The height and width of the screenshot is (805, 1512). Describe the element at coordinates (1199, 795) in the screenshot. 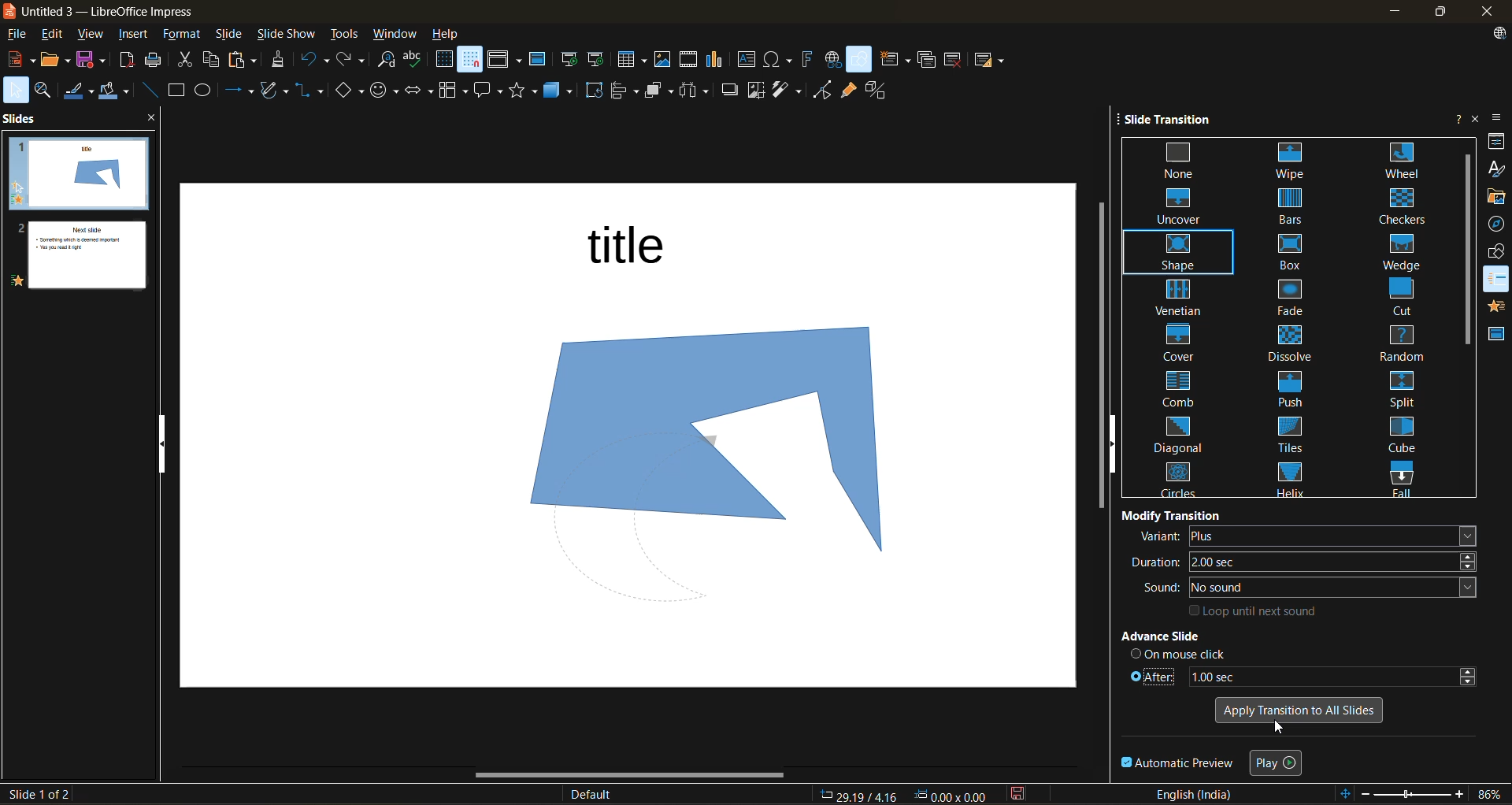

I see `text language` at that location.